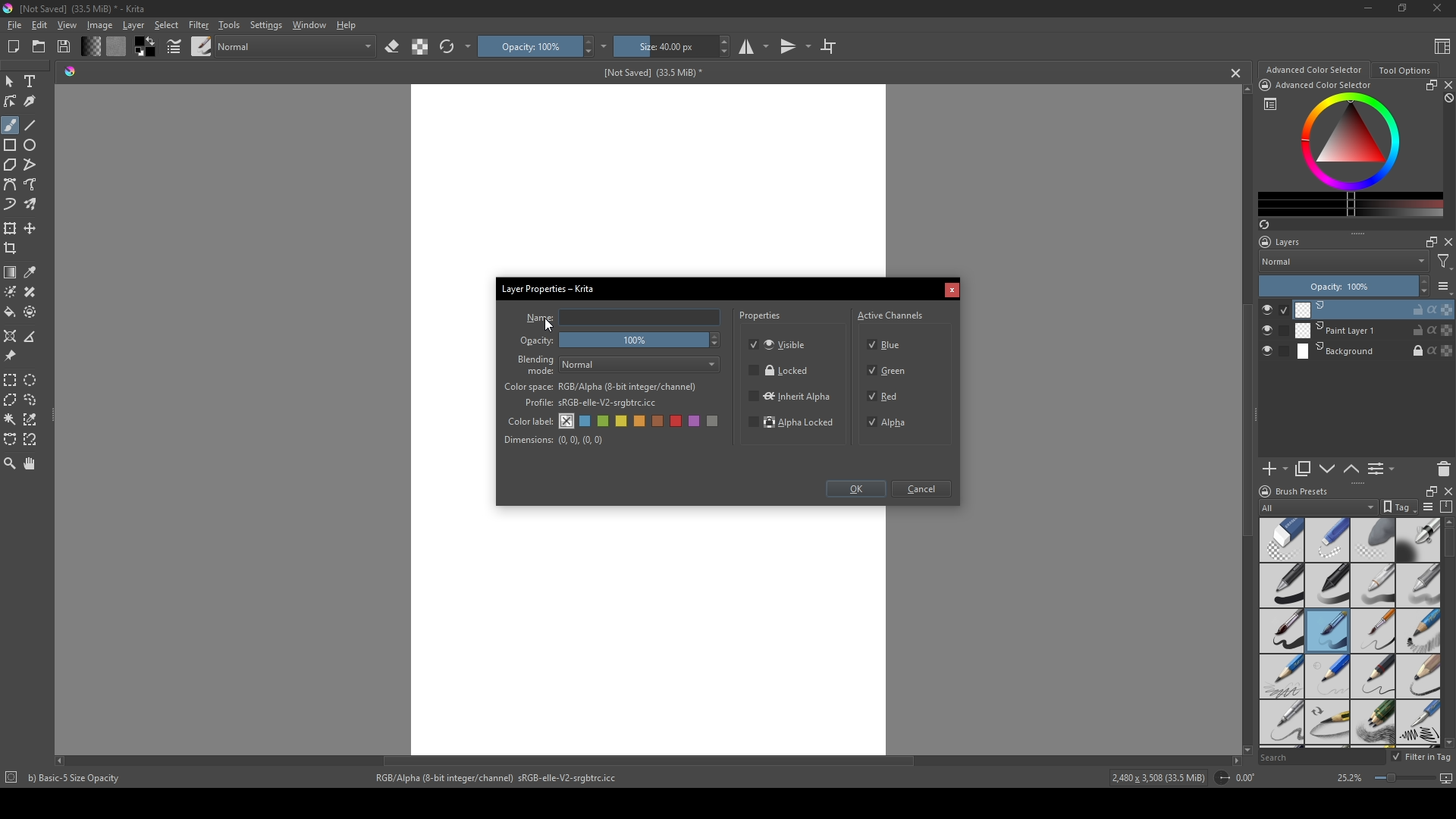  What do you see at coordinates (174, 47) in the screenshot?
I see `pointers` at bounding box center [174, 47].